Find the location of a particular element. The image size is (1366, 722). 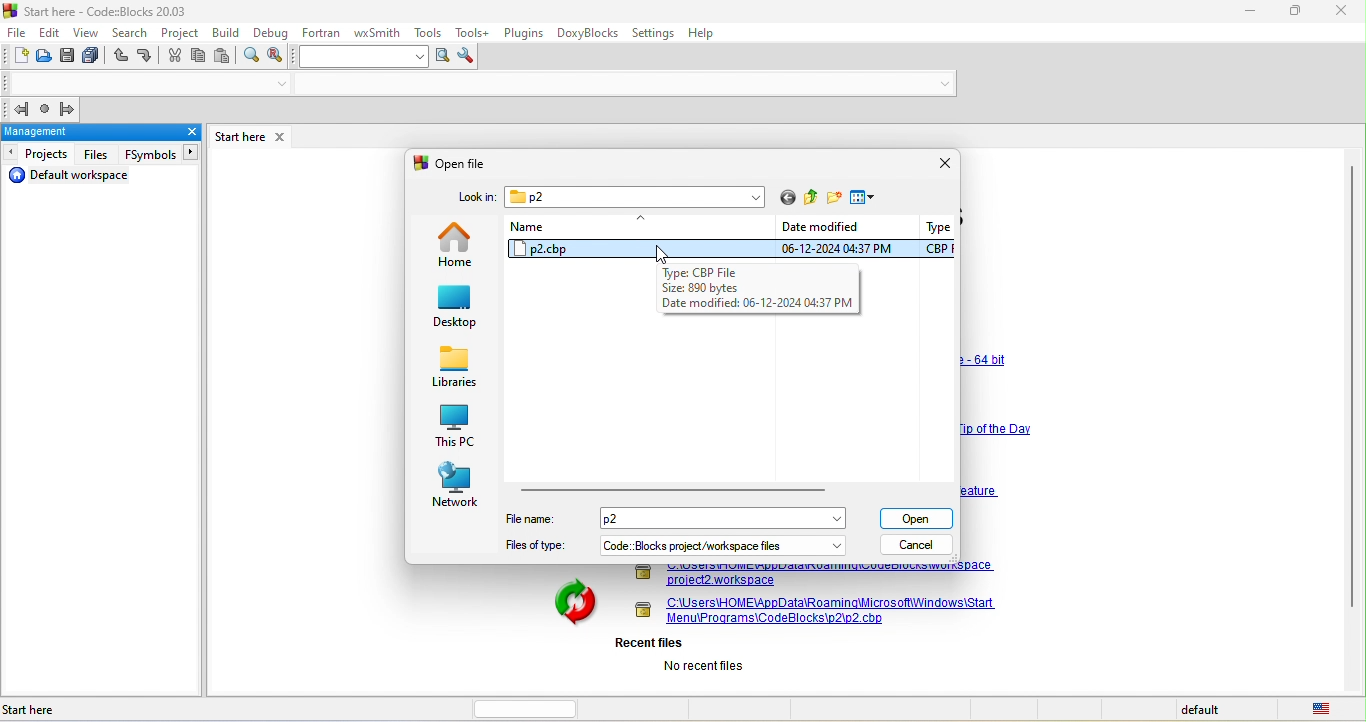

fortran is located at coordinates (321, 34).